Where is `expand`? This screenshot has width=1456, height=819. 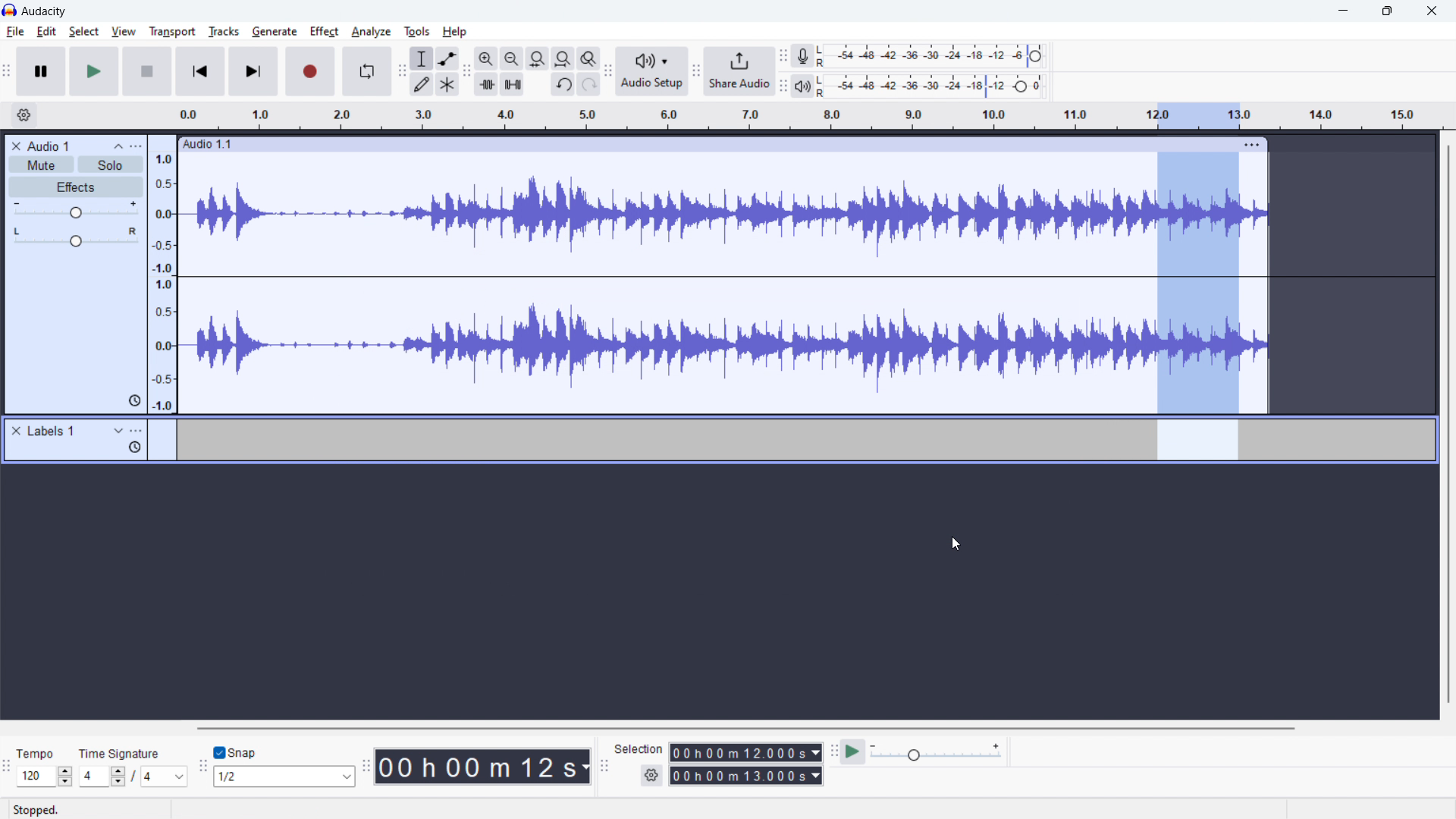
expand is located at coordinates (118, 431).